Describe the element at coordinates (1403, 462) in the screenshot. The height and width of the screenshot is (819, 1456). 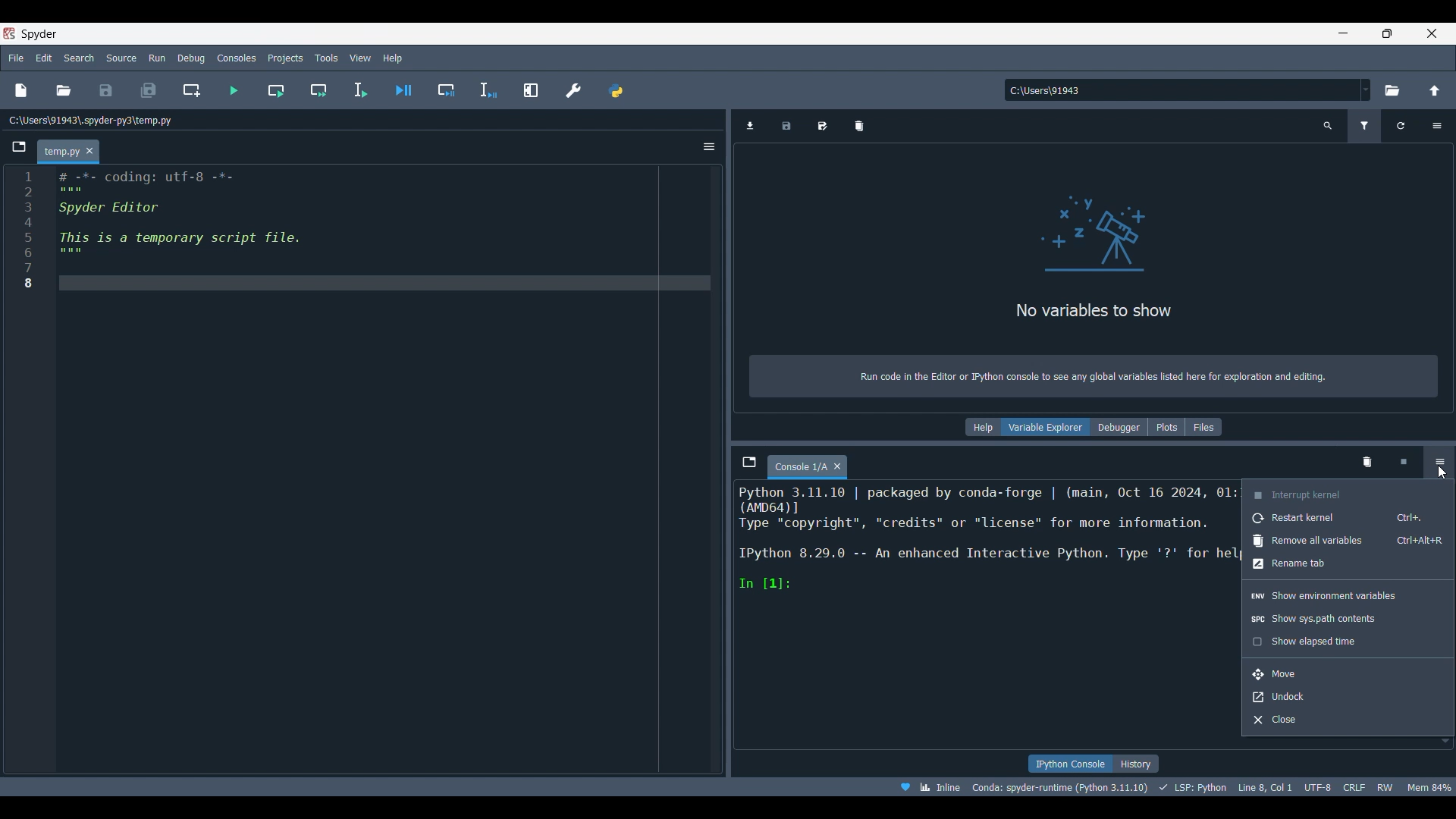
I see `Interrupt kernel` at that location.